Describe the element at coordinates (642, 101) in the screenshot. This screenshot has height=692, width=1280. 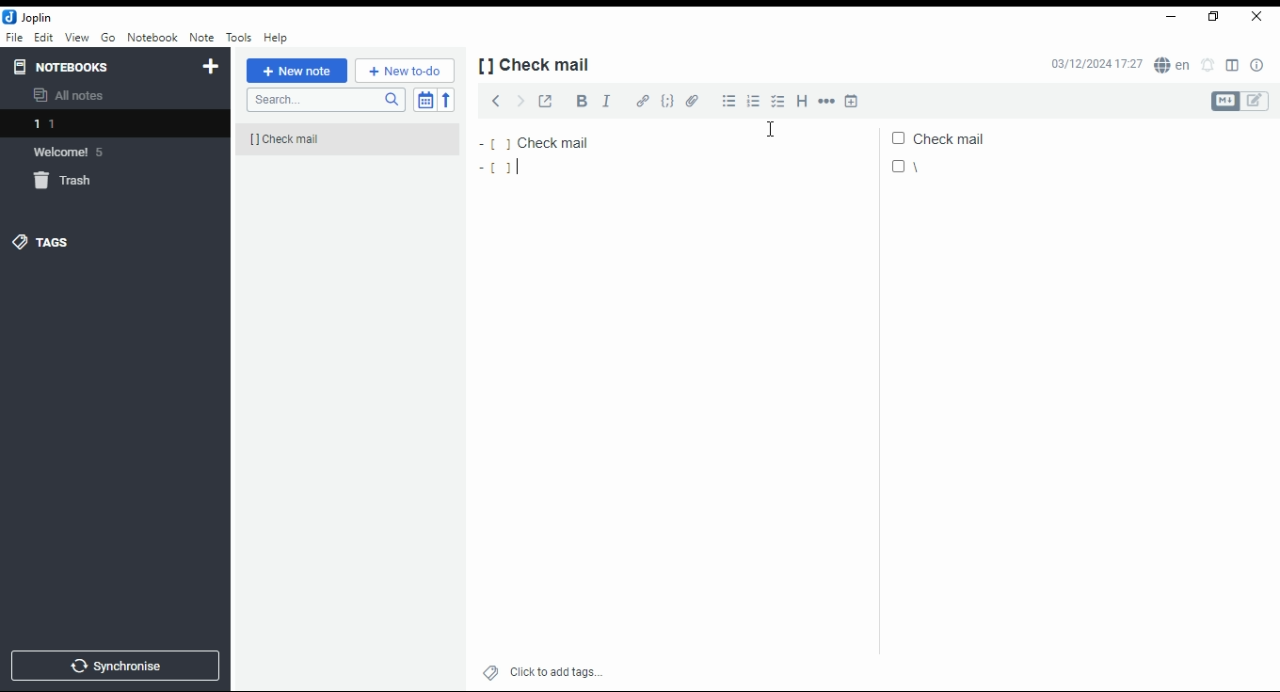
I see `hyperlink` at that location.